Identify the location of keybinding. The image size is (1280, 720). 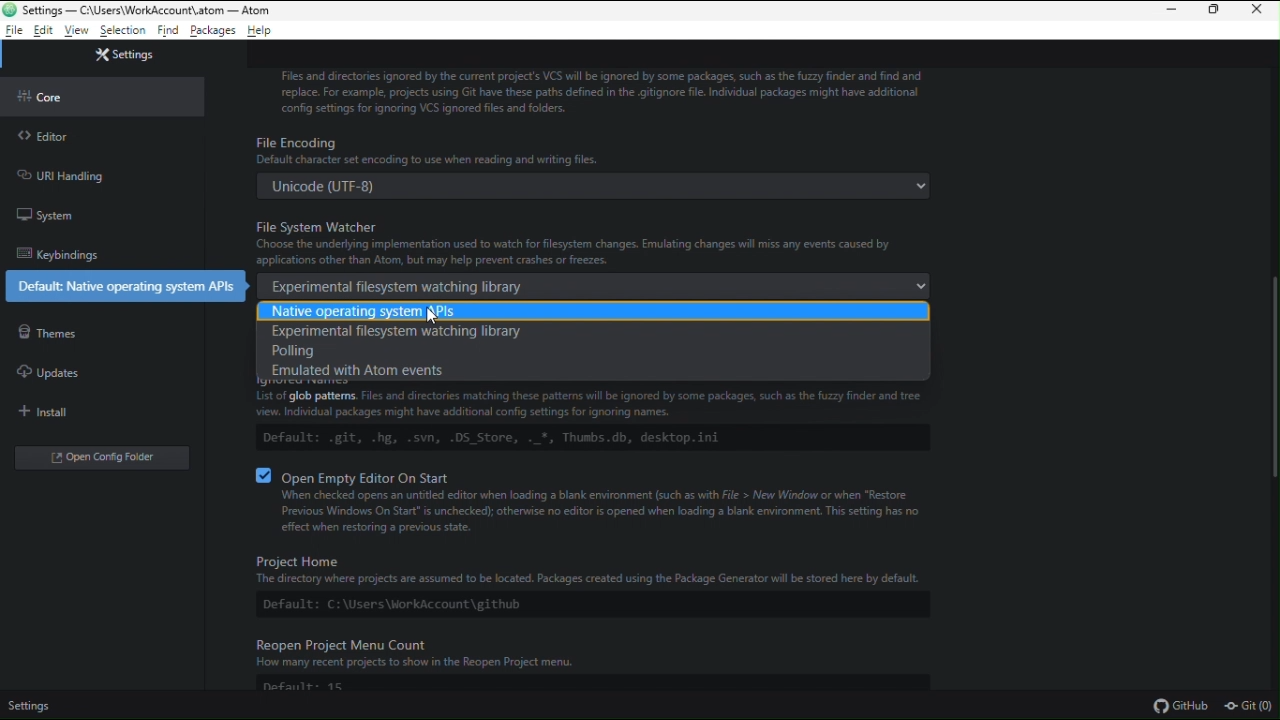
(56, 253).